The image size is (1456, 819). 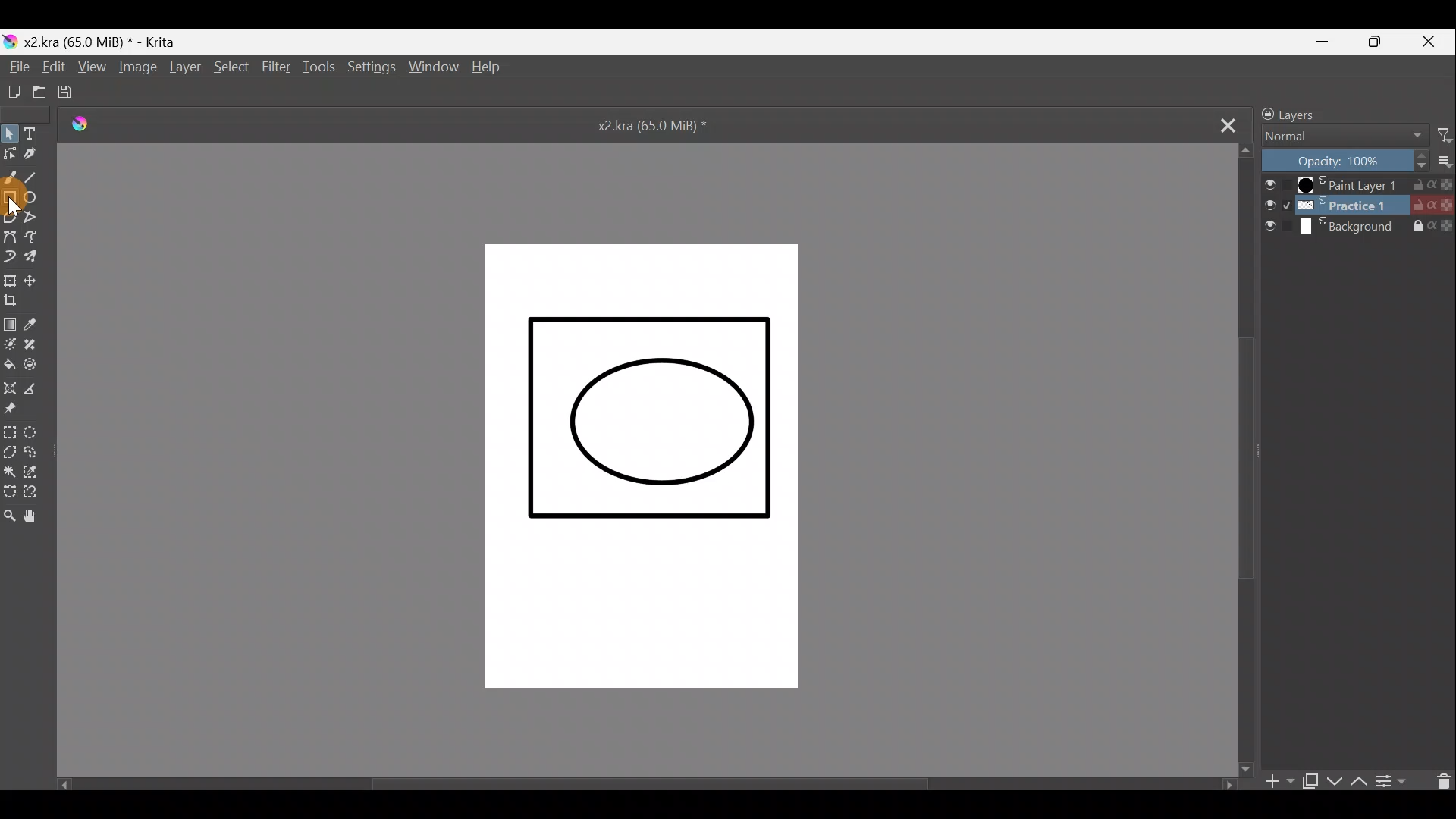 I want to click on x2.kra (65.0 MiB) *, so click(x=651, y=128).